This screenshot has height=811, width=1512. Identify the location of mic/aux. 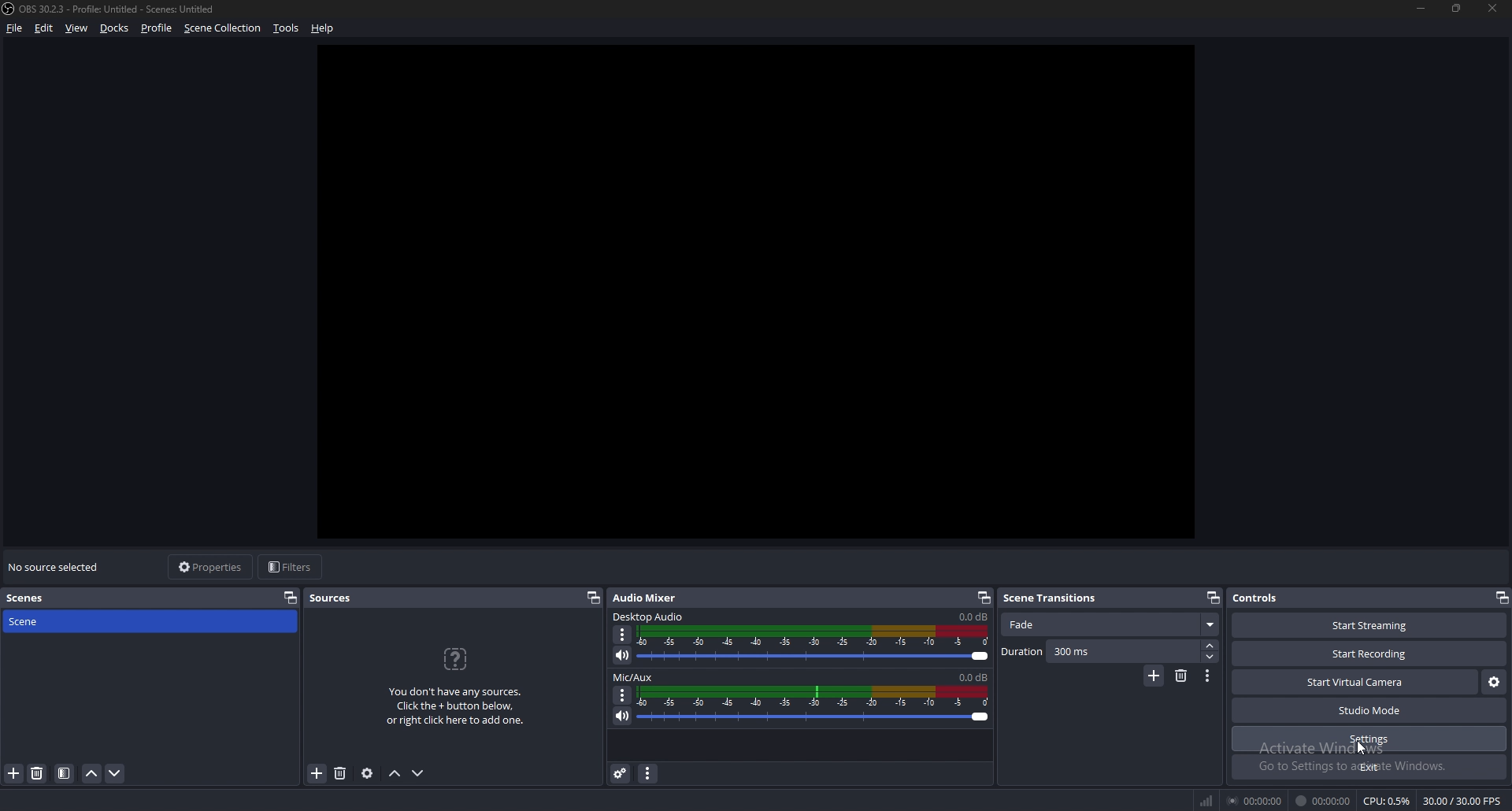
(634, 678).